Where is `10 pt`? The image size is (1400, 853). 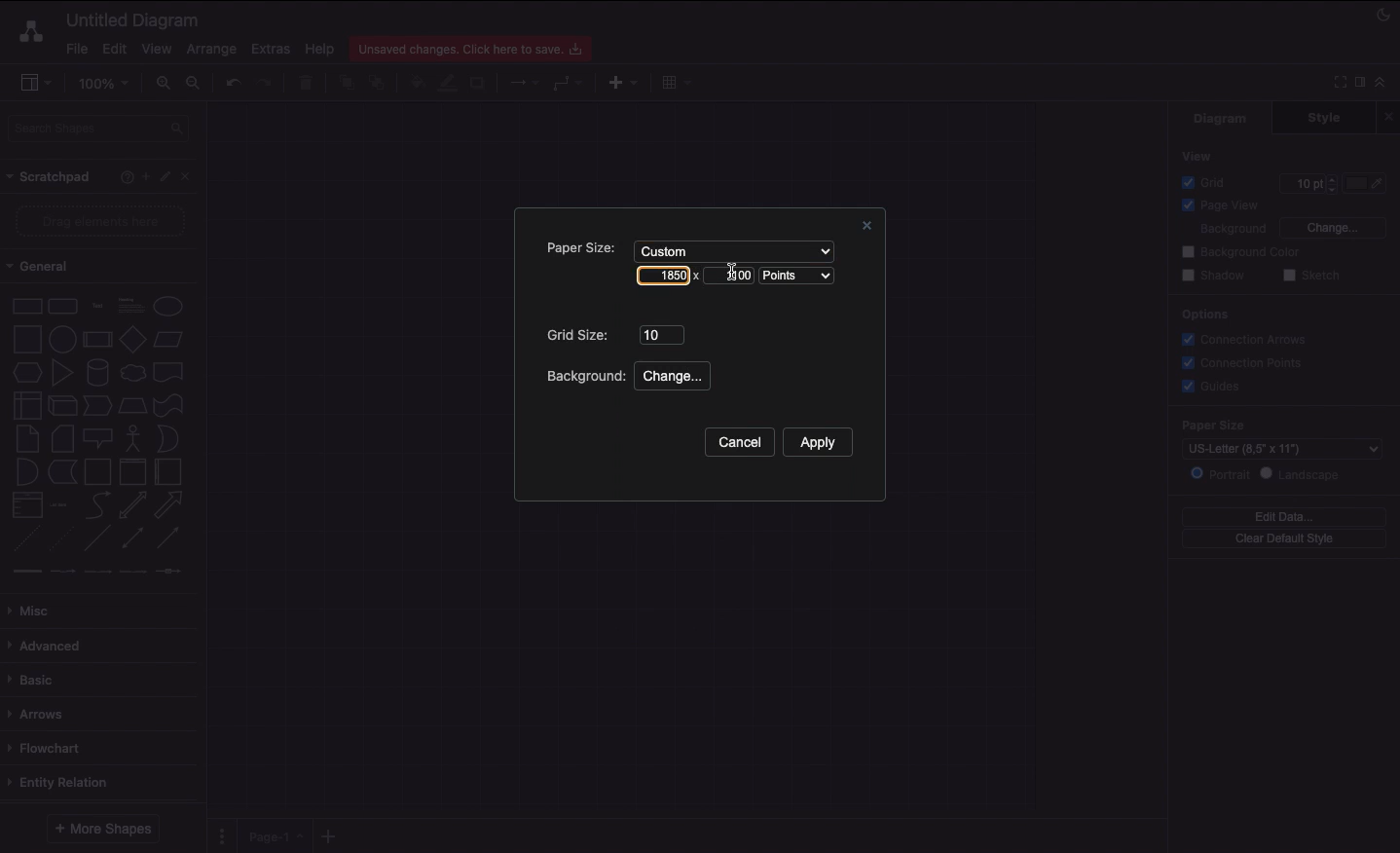 10 pt is located at coordinates (1307, 181).